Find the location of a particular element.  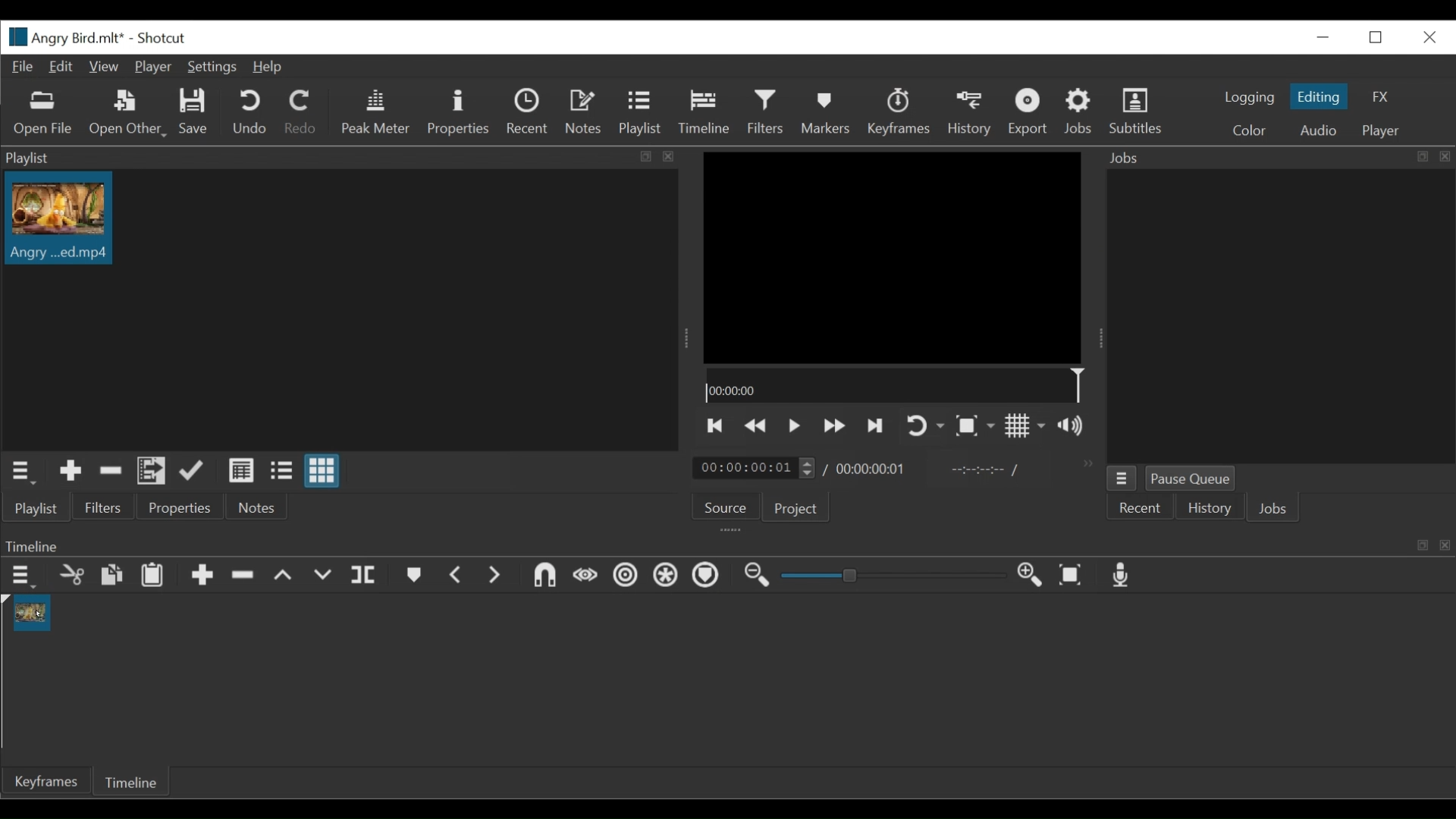

View as icon is located at coordinates (322, 471).